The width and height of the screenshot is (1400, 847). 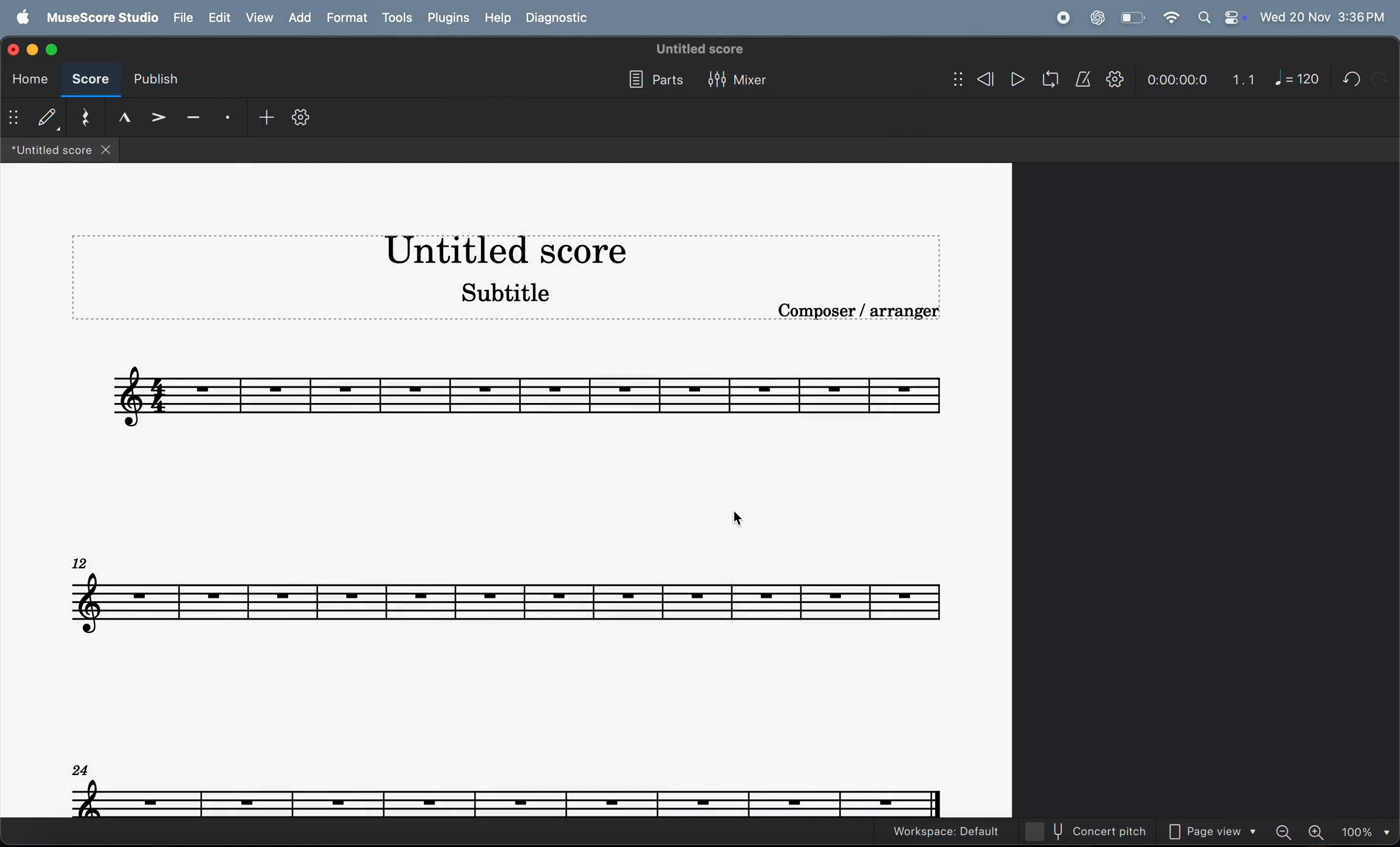 I want to click on accent, so click(x=160, y=118).